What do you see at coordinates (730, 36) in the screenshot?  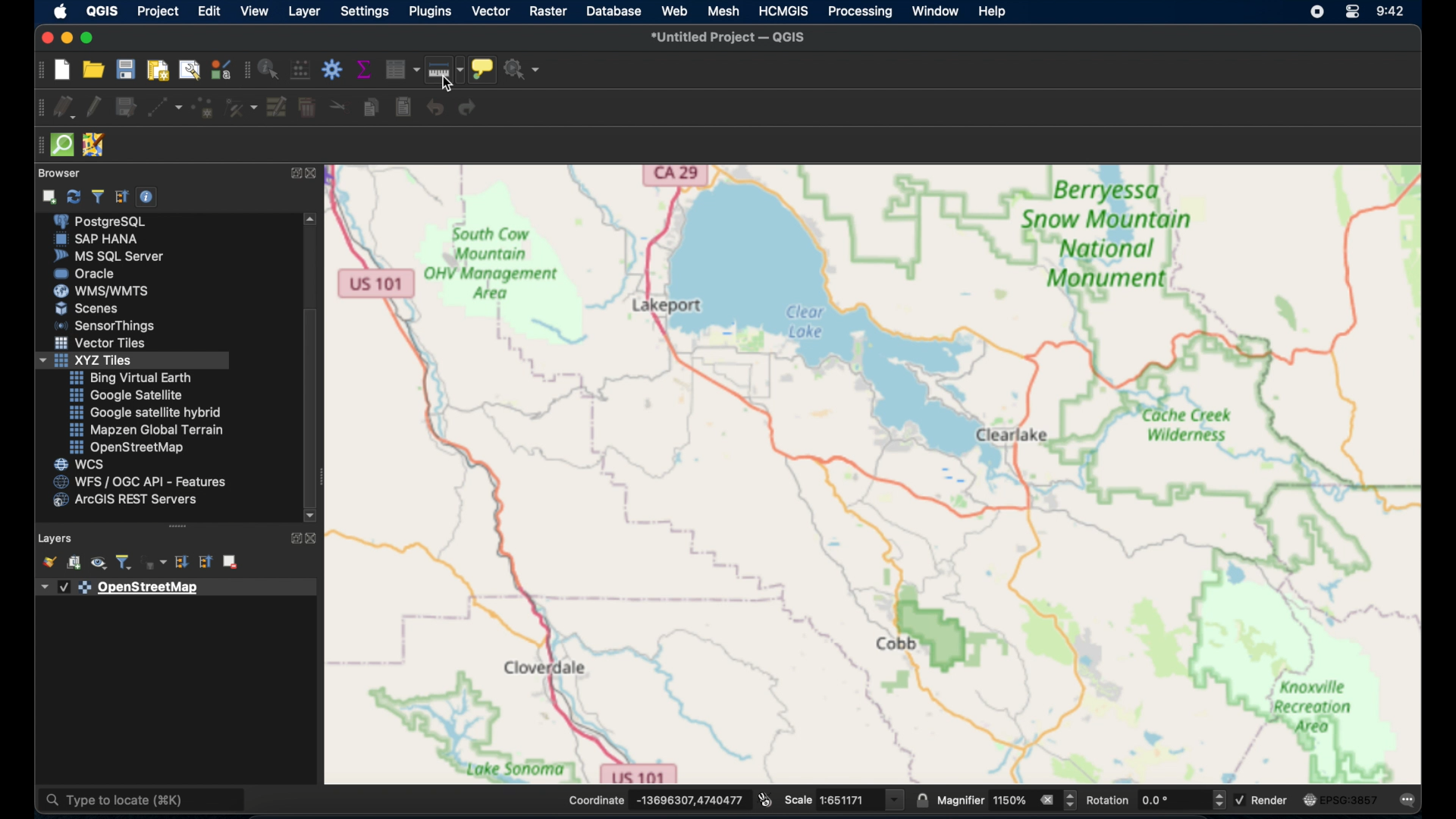 I see `Untitled project-QGIS` at bounding box center [730, 36].